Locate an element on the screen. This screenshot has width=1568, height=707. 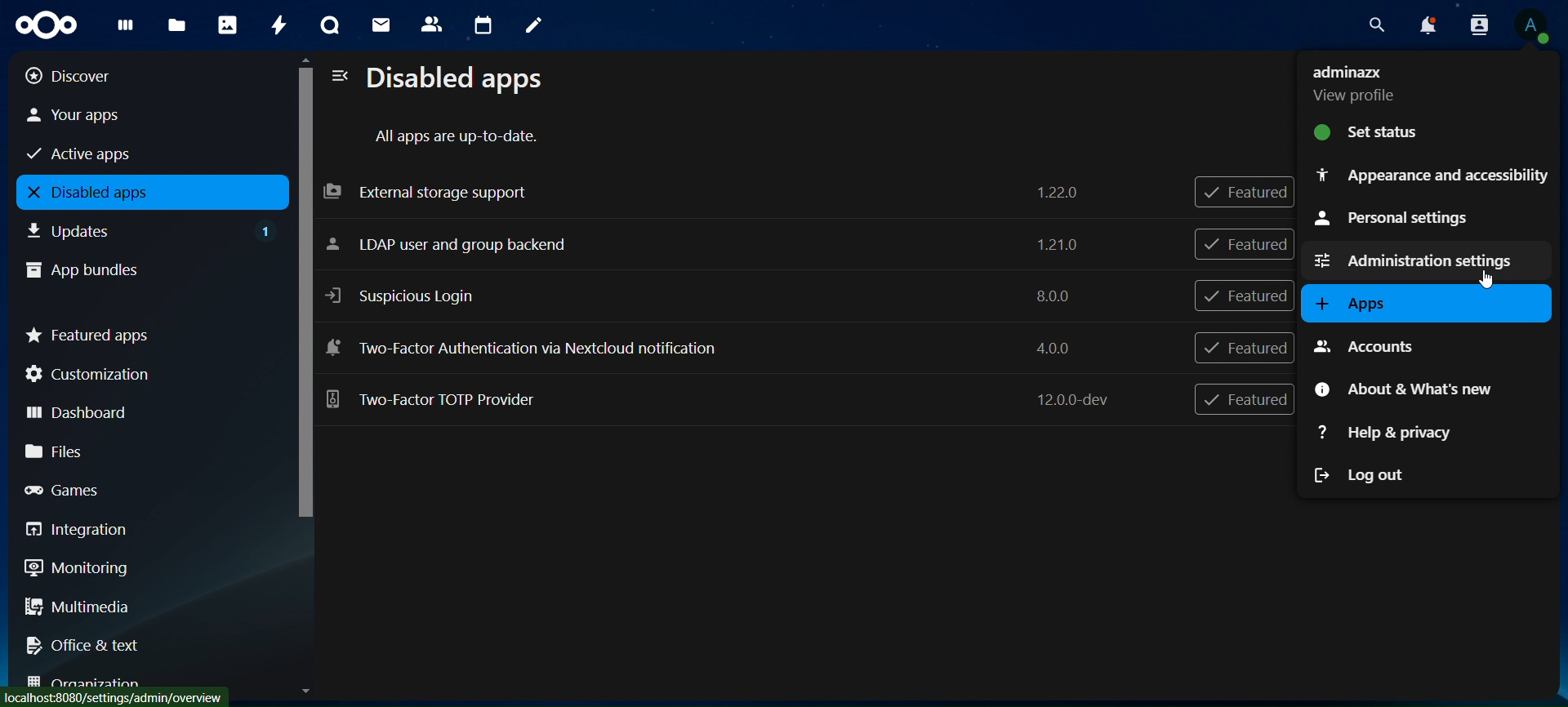
log out is located at coordinates (1363, 474).